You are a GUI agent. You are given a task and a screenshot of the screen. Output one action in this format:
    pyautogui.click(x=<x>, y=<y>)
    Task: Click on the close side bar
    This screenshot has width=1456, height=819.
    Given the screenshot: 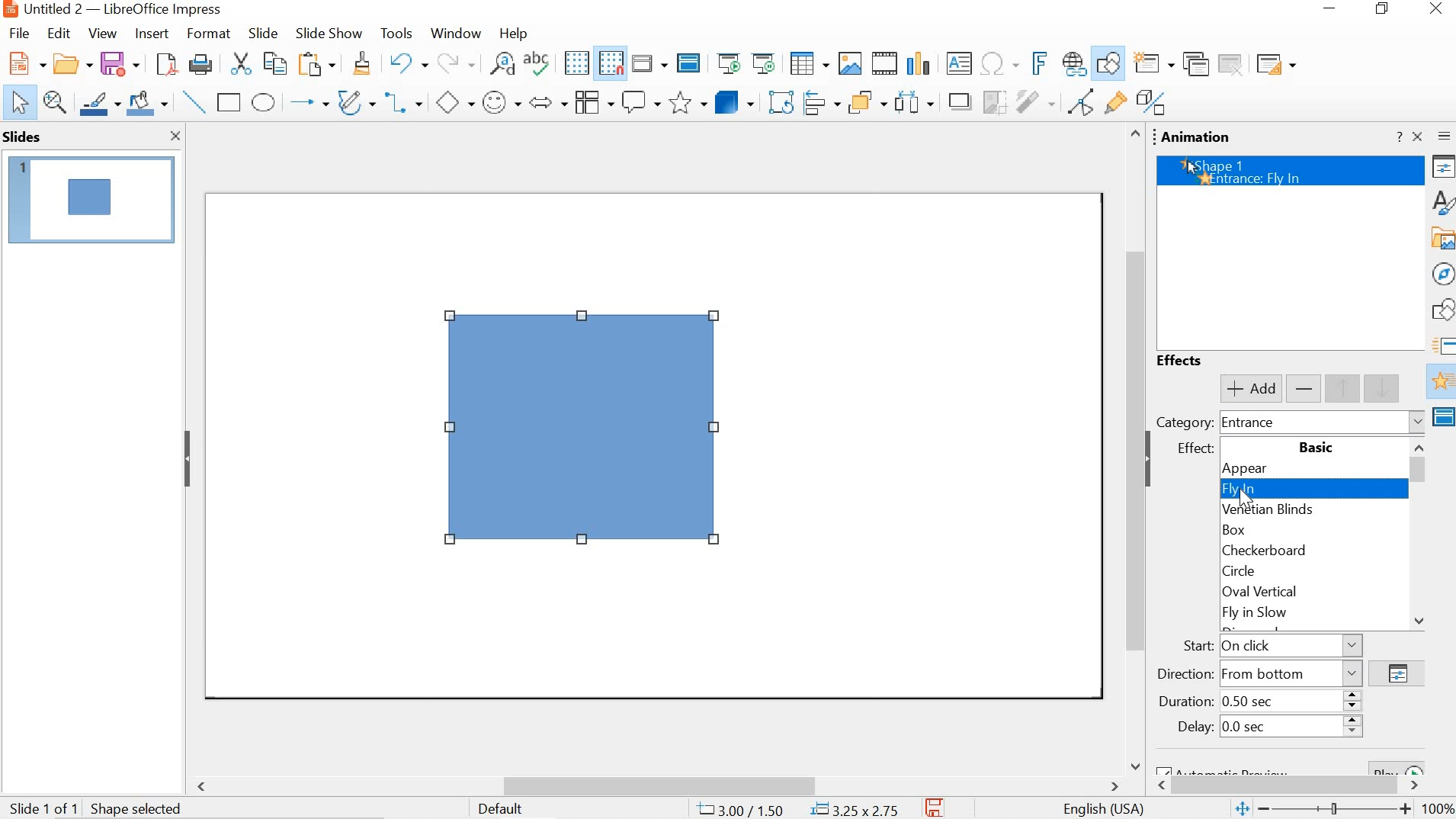 What is the action you would take?
    pyautogui.click(x=1417, y=136)
    